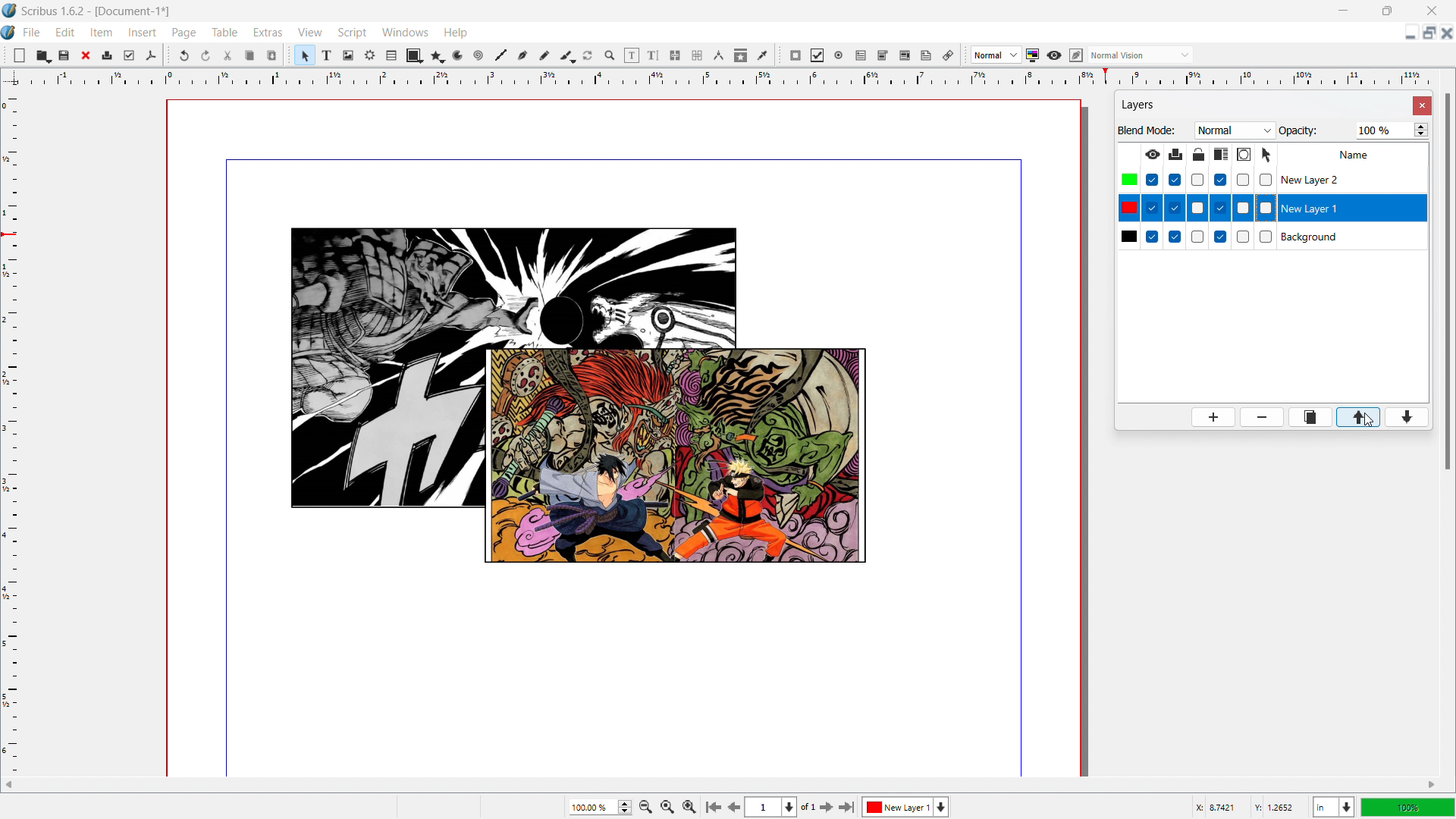  I want to click on Name, so click(1355, 155).